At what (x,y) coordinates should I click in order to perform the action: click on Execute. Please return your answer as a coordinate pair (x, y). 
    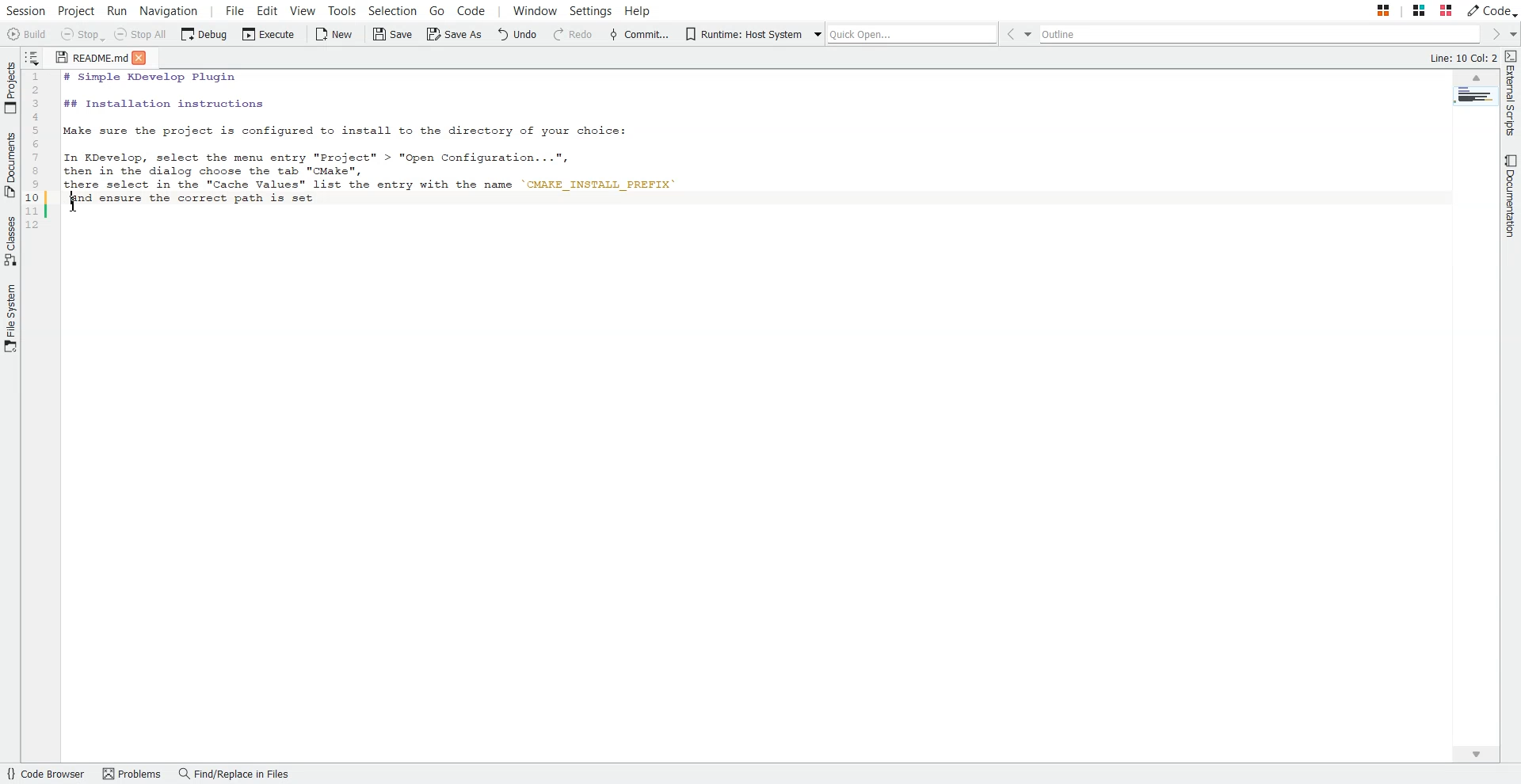
    Looking at the image, I should click on (269, 35).